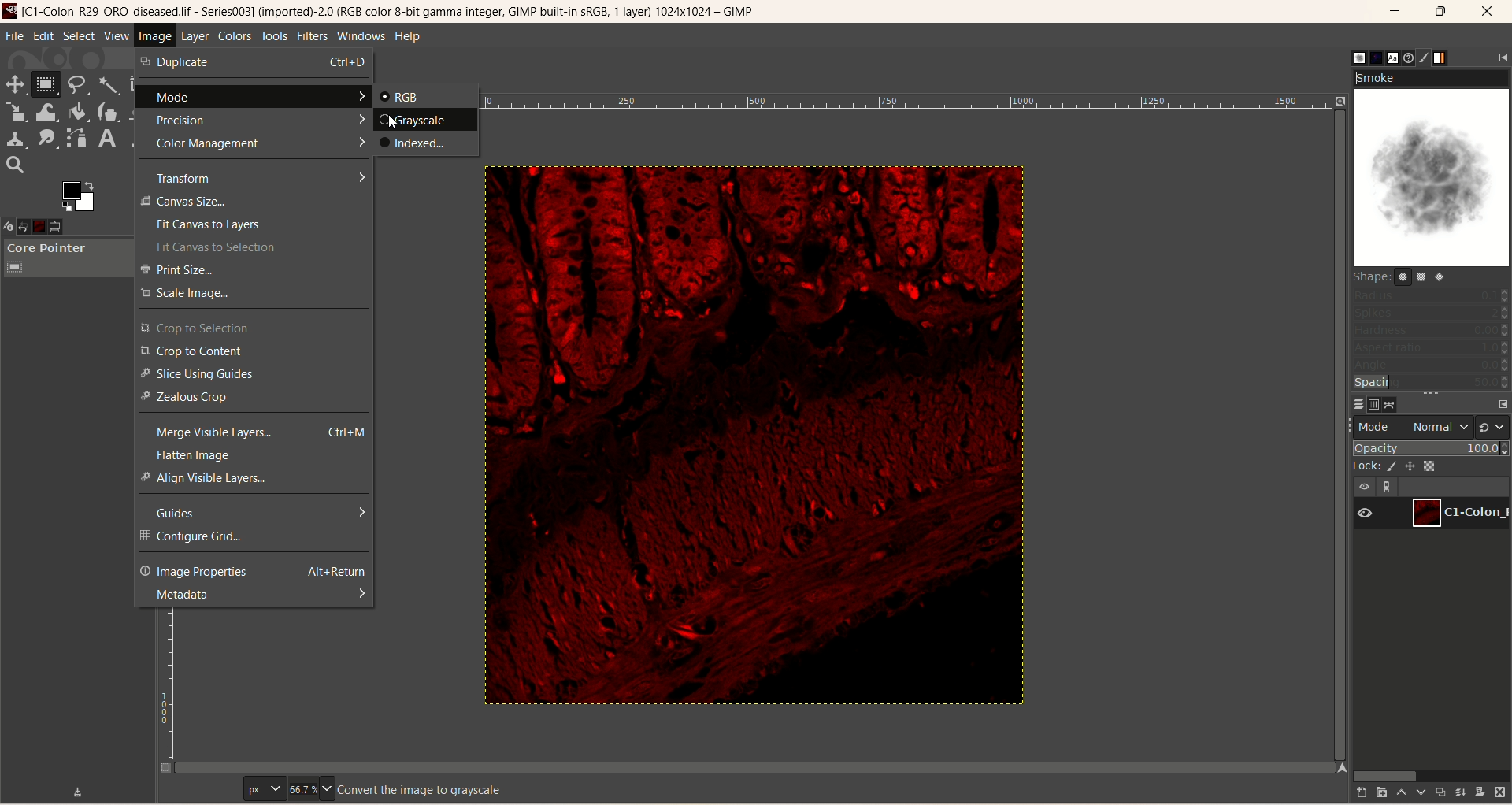  Describe the element at coordinates (254, 432) in the screenshot. I see `merge visible layers` at that location.